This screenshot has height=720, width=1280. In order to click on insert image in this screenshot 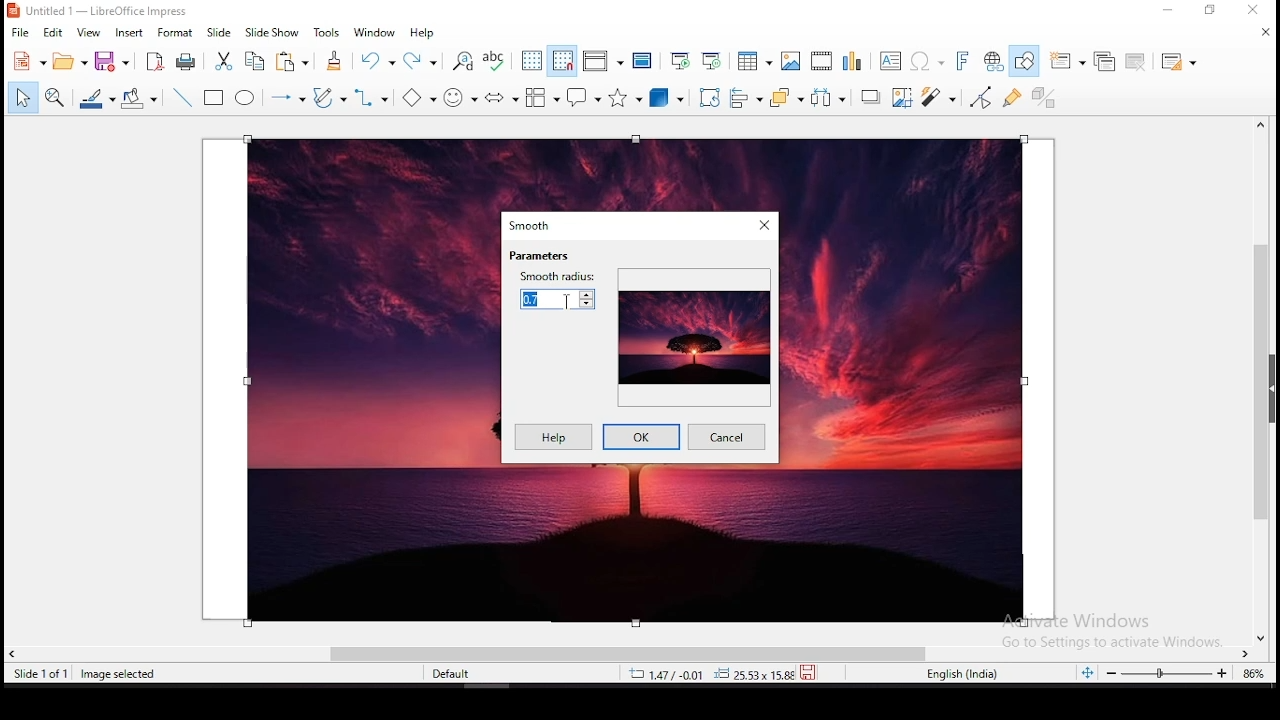, I will do `click(792, 62)`.